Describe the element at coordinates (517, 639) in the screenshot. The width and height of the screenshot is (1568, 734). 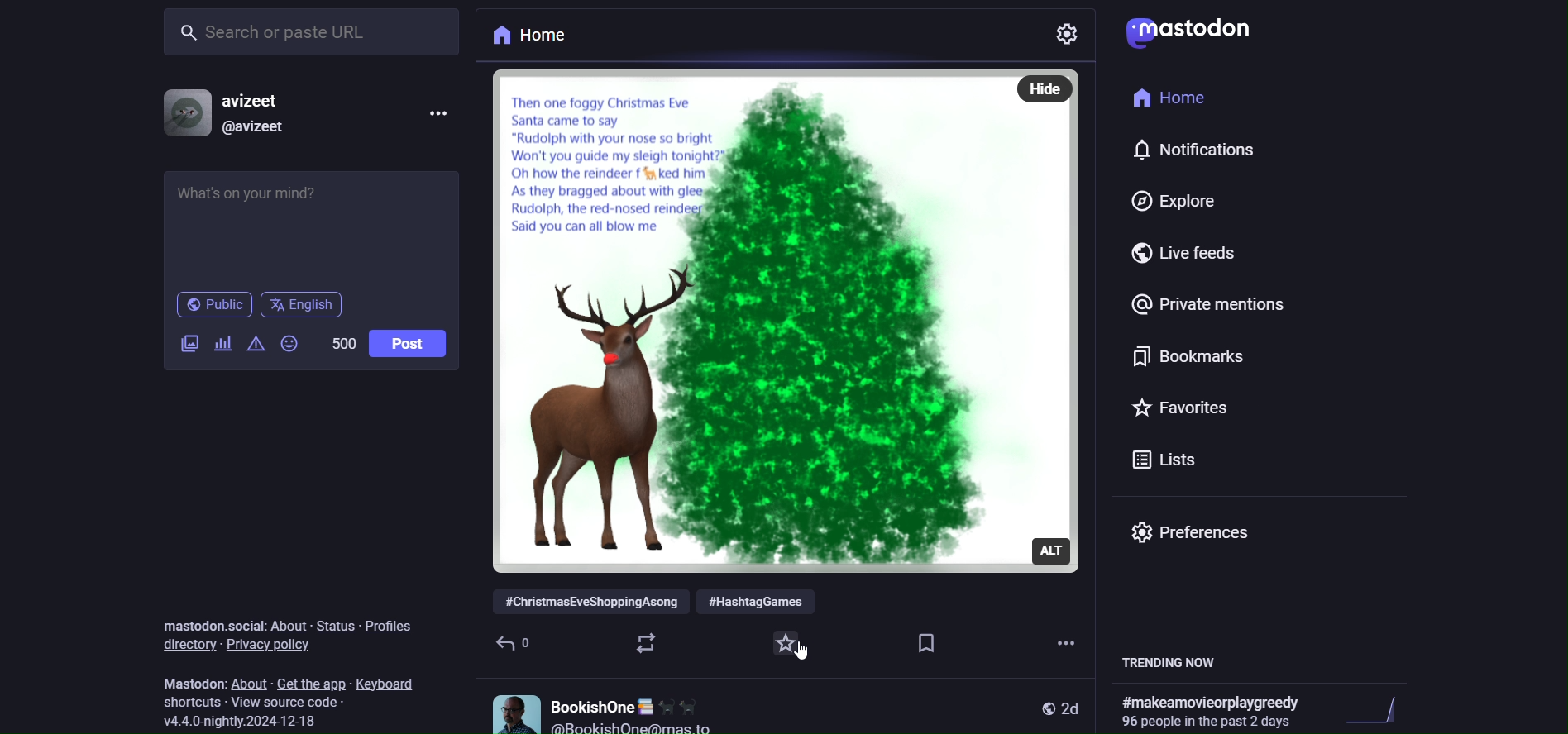
I see `reply` at that location.